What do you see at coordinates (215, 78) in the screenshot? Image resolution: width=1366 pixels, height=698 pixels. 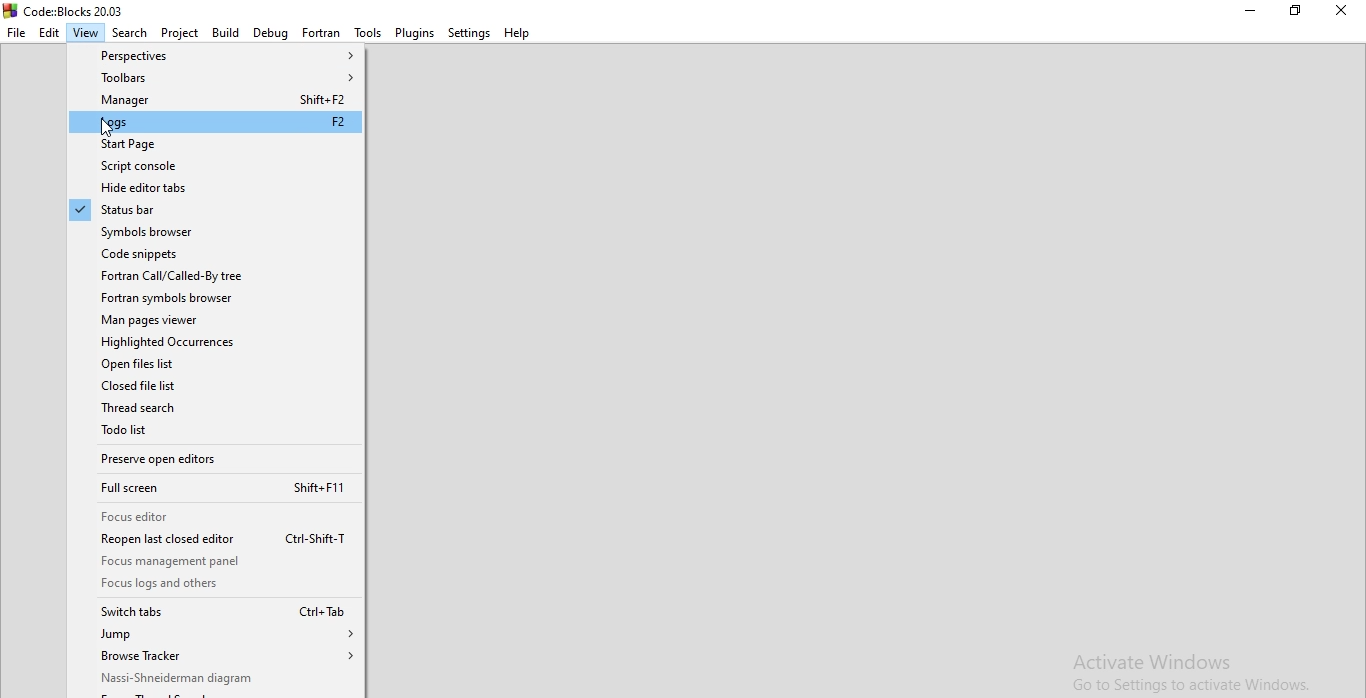 I see `Toolbars` at bounding box center [215, 78].